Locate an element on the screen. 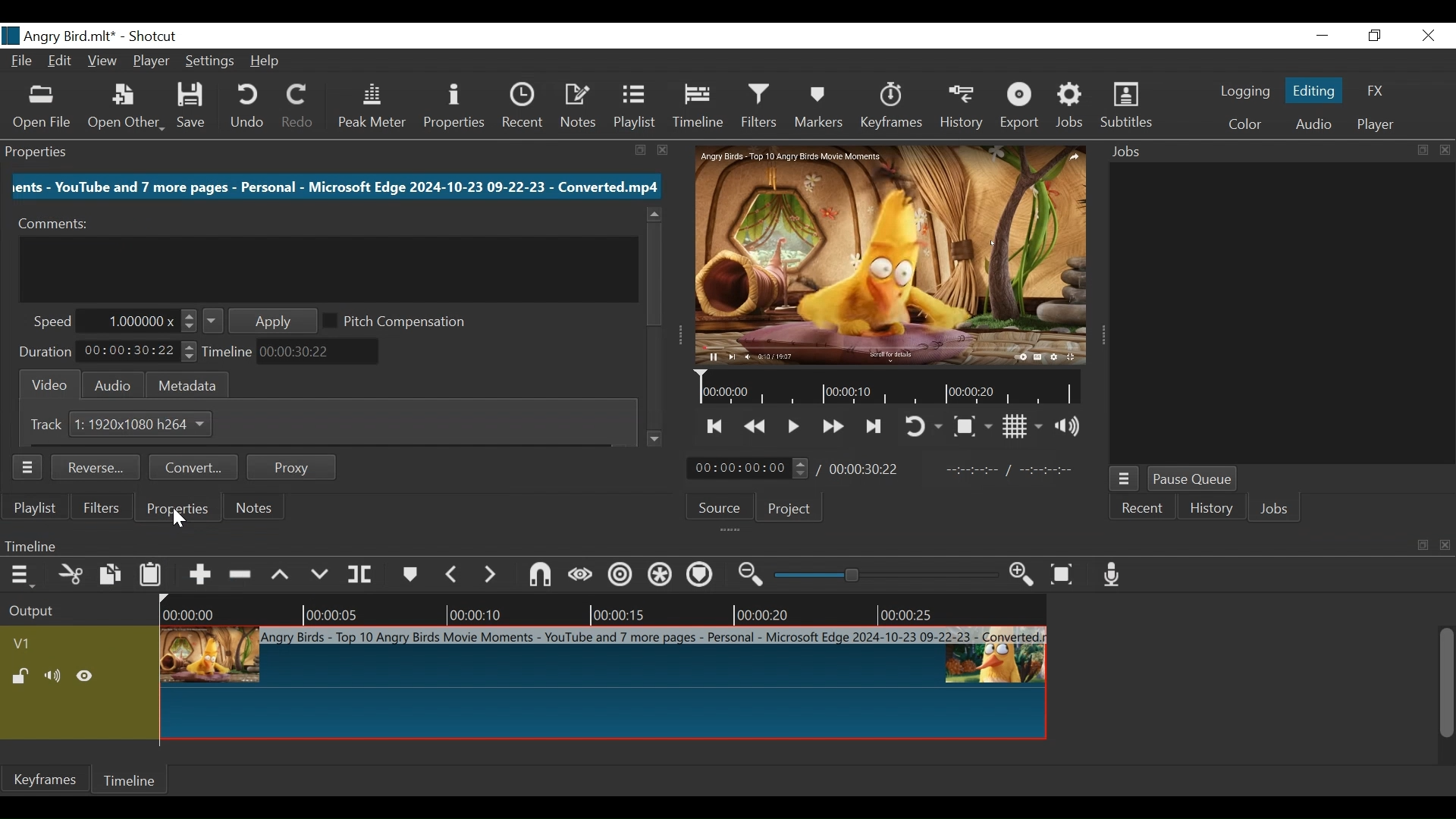 The height and width of the screenshot is (819, 1456). Save is located at coordinates (194, 107).